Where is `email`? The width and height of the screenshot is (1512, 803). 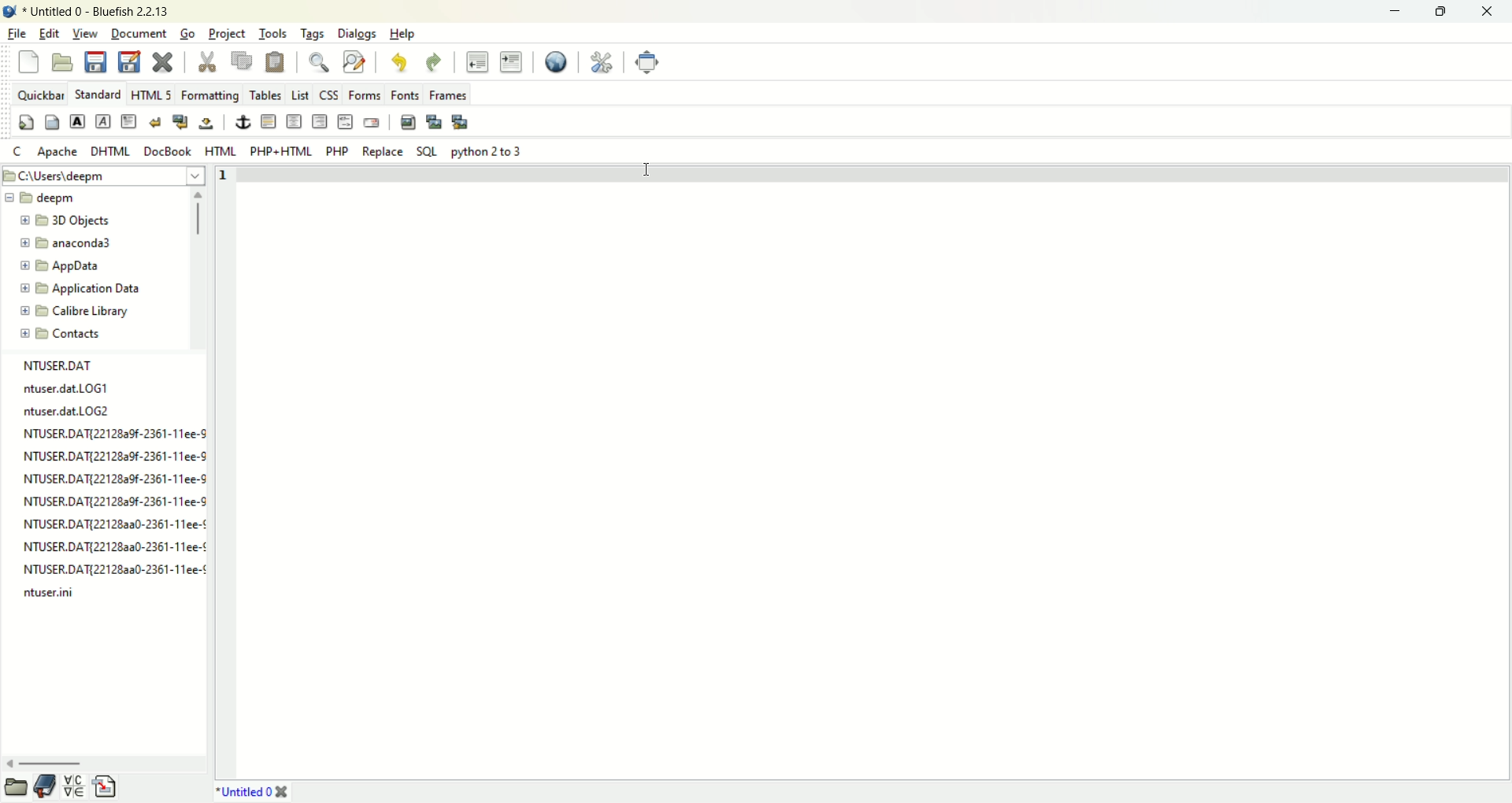
email is located at coordinates (372, 124).